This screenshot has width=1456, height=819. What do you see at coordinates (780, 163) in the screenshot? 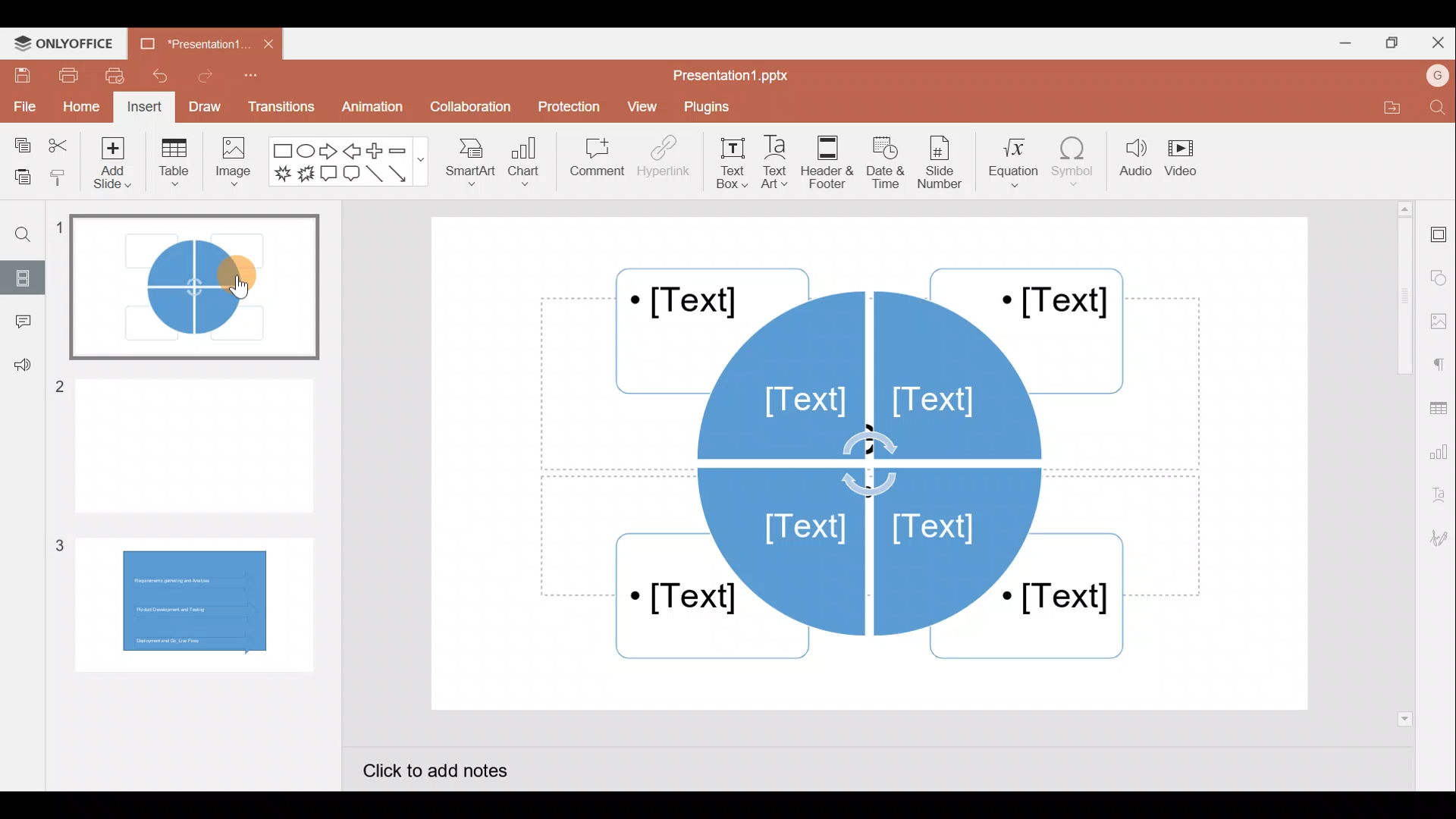
I see `Text Art` at bounding box center [780, 163].